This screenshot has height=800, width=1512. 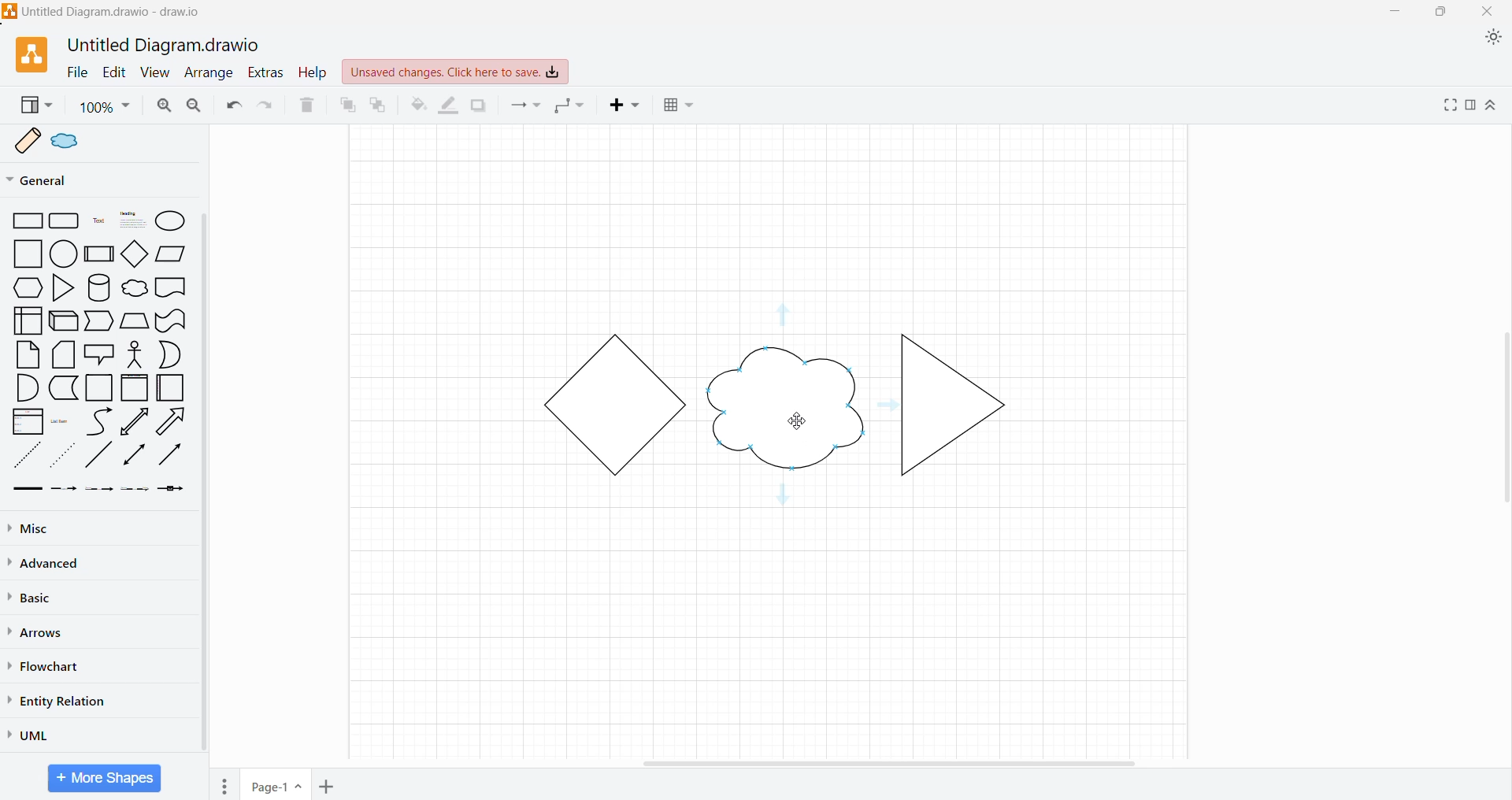 What do you see at coordinates (35, 106) in the screenshot?
I see `View` at bounding box center [35, 106].